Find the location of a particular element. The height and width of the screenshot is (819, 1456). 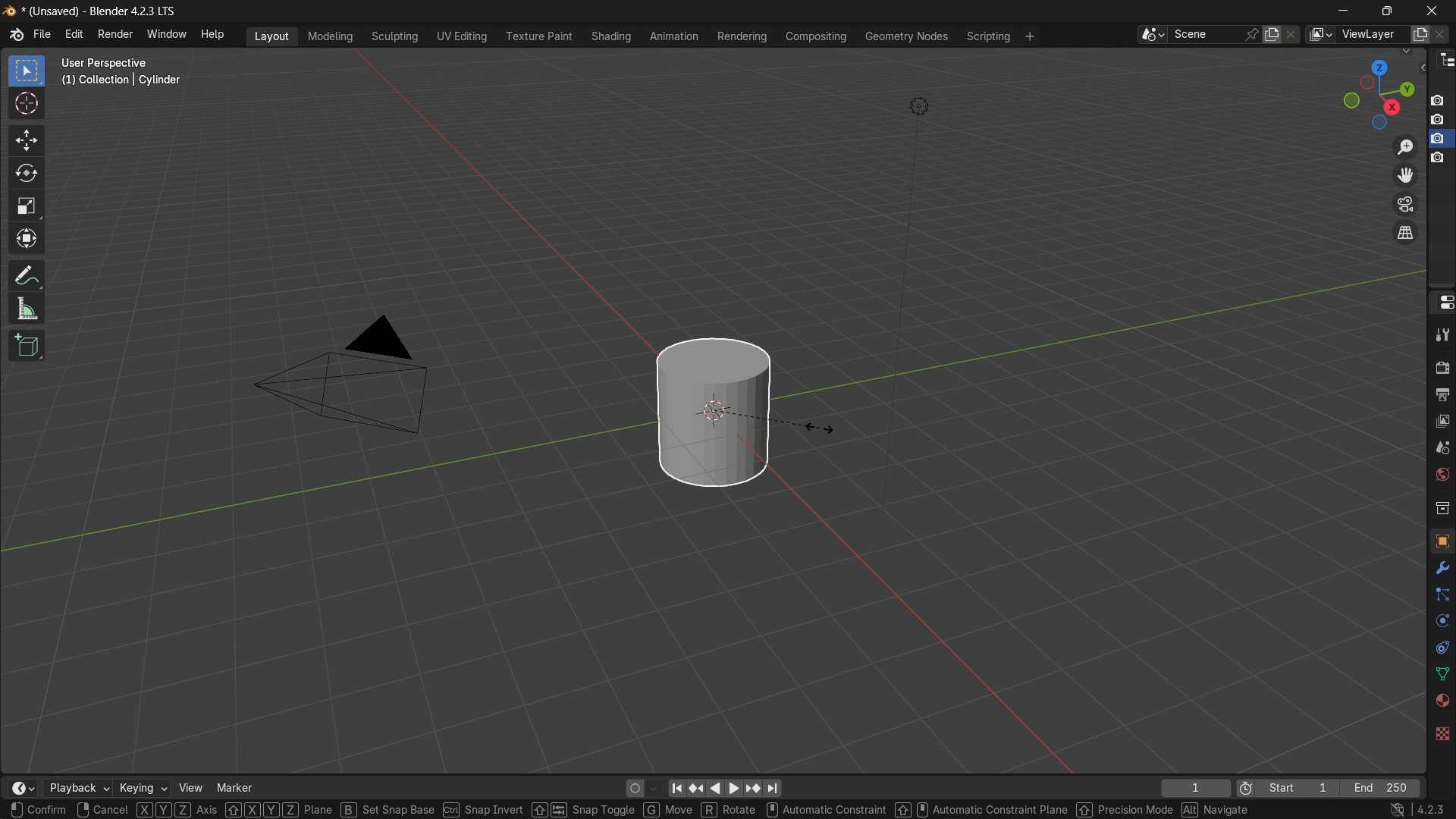

geometry nodes is located at coordinates (907, 37).